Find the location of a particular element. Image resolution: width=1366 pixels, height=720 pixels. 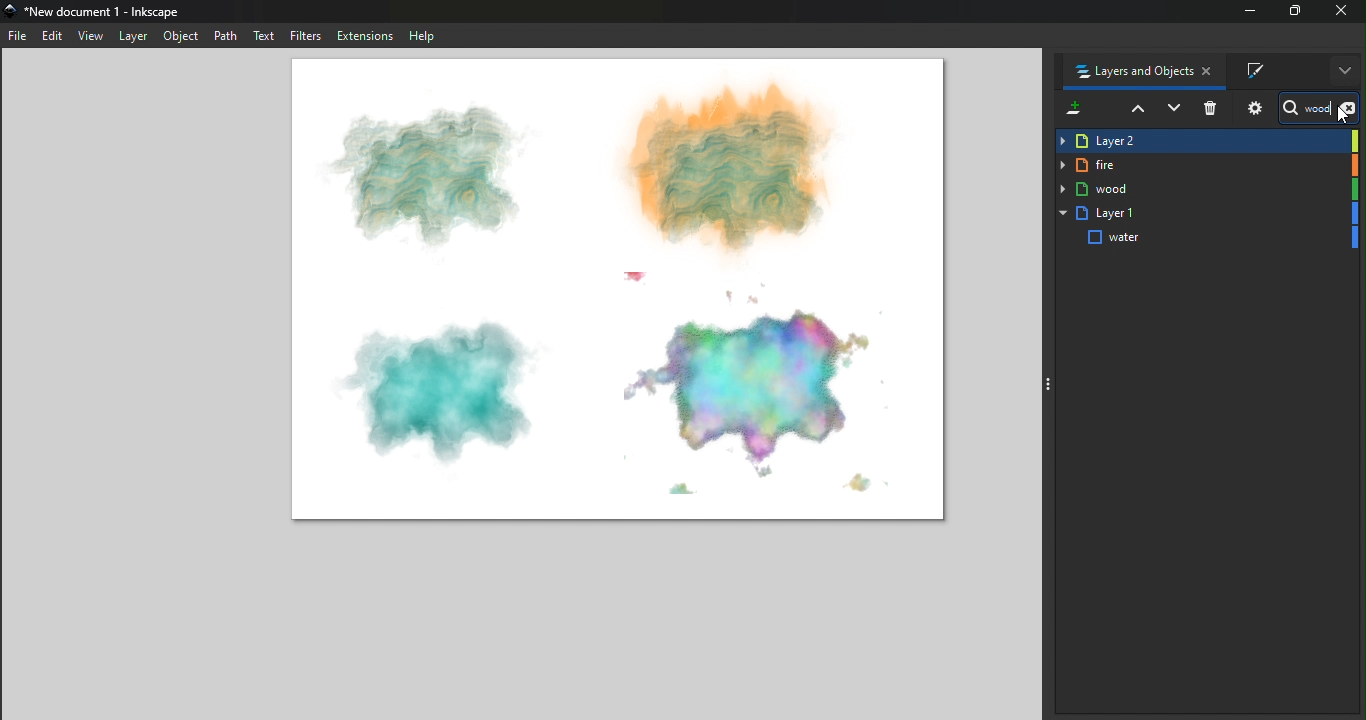

Raise selection on step is located at coordinates (1141, 109).